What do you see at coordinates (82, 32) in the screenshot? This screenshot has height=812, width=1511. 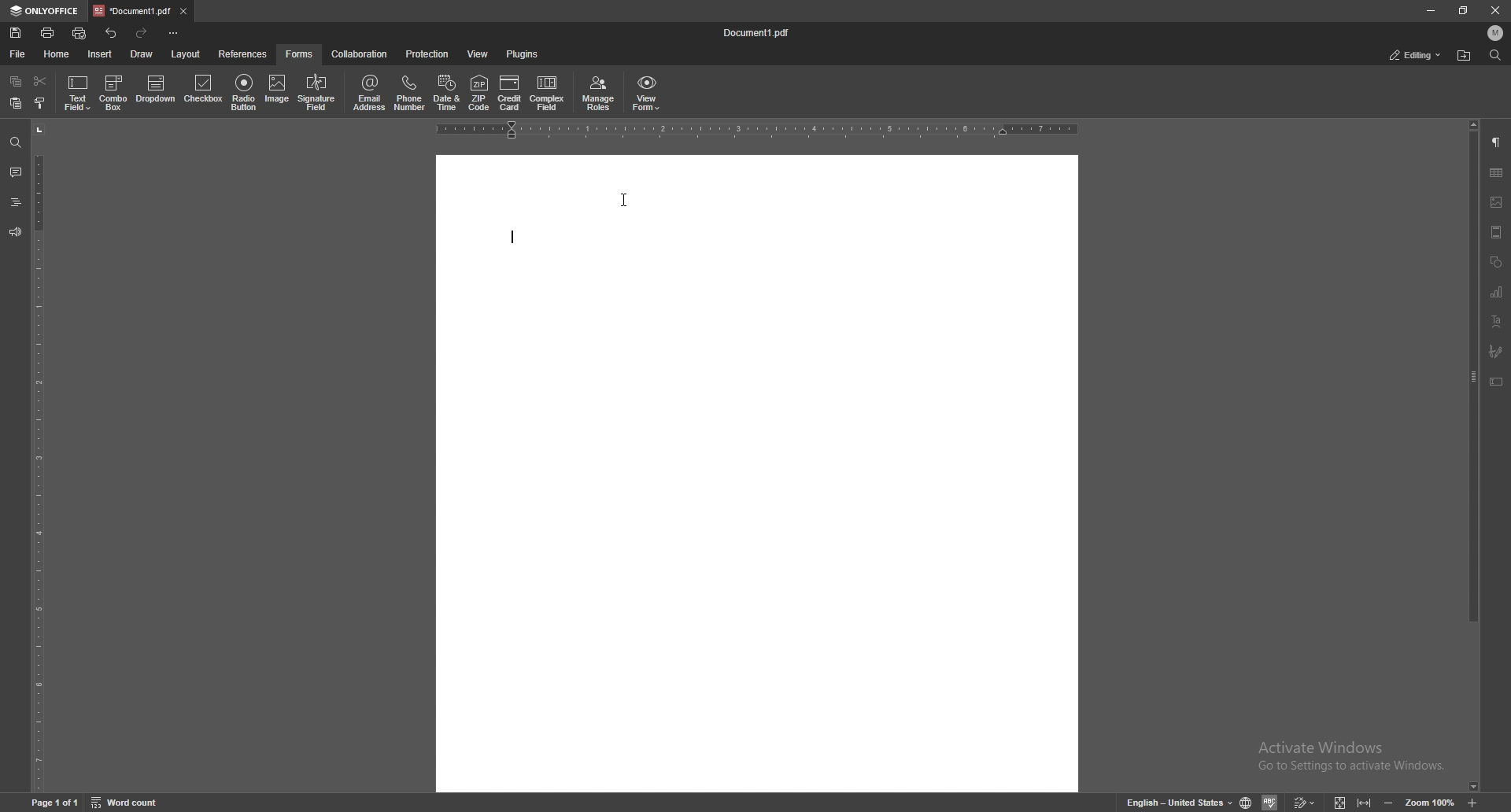 I see `quick print` at bounding box center [82, 32].